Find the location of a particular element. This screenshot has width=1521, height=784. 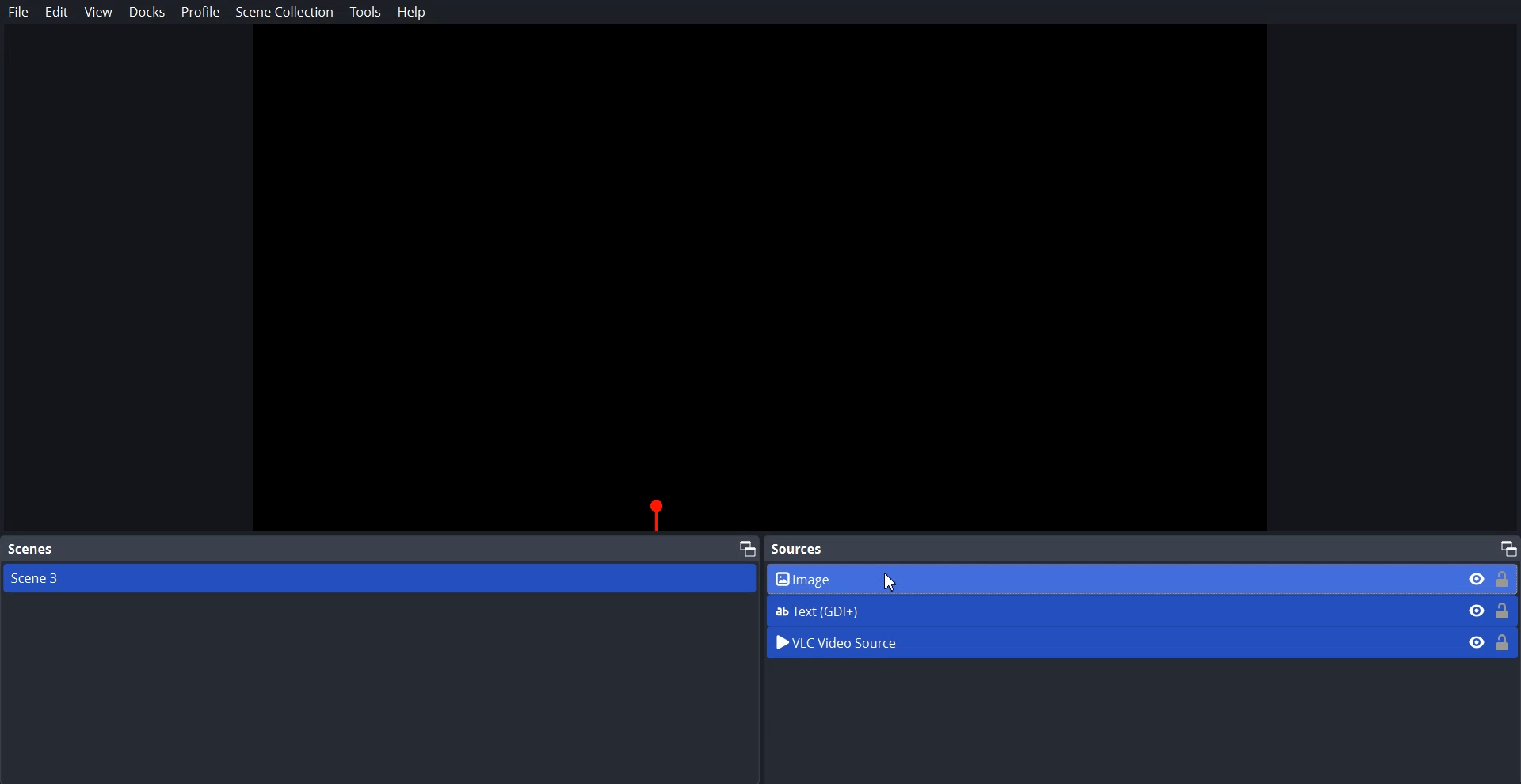

Maximize is located at coordinates (1508, 547).